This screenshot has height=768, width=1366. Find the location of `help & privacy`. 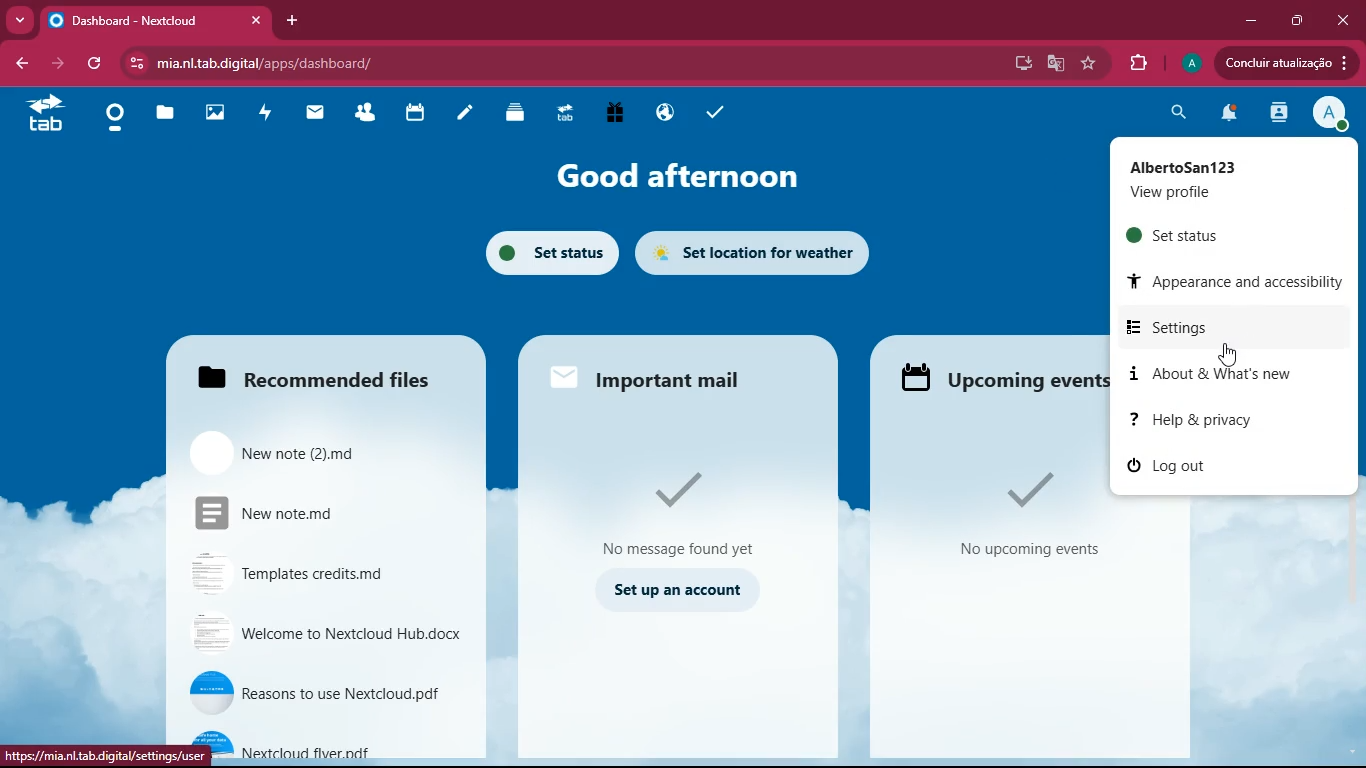

help & privacy is located at coordinates (1236, 421).